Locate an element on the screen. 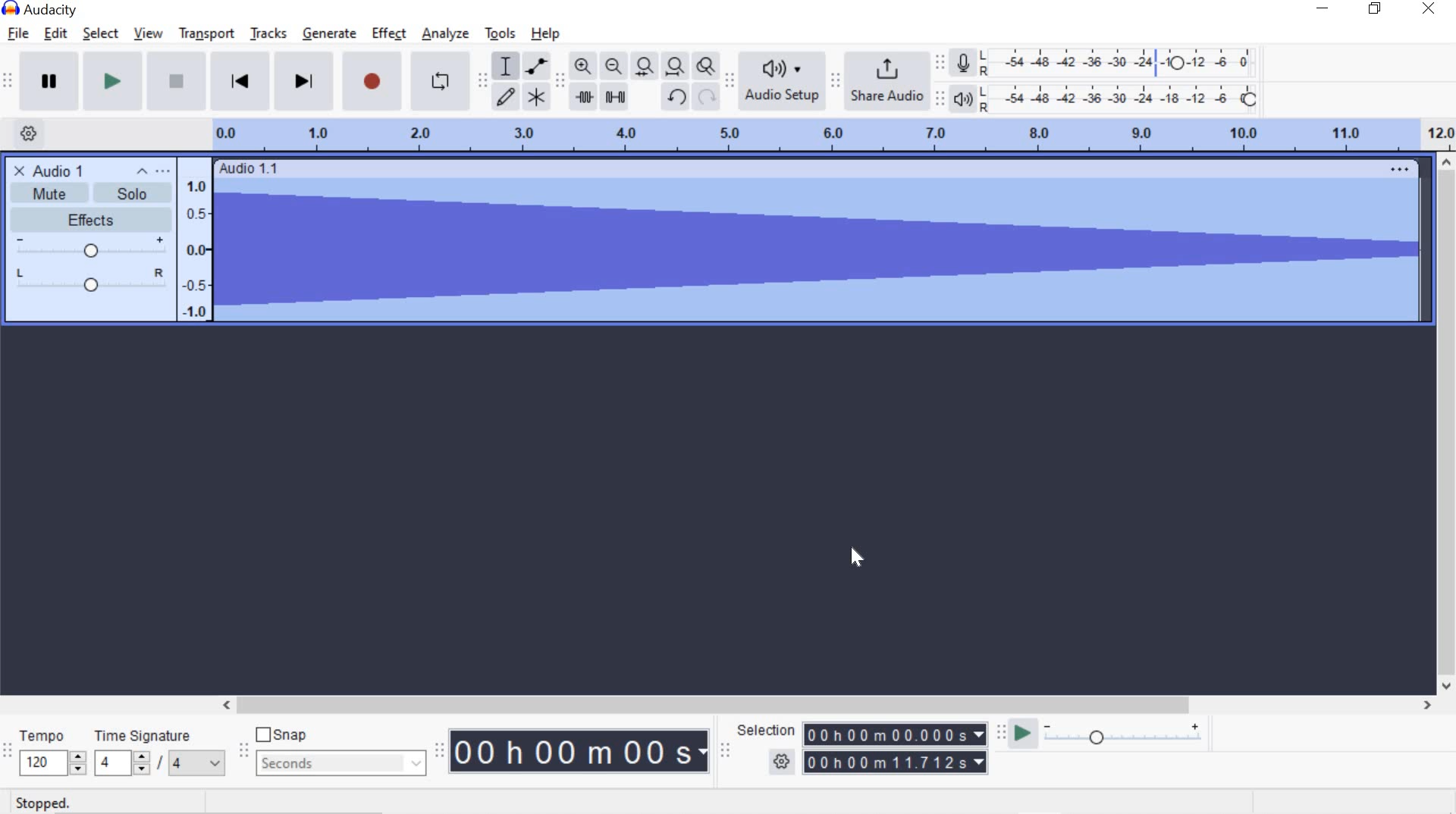  Timeline options is located at coordinates (28, 131).